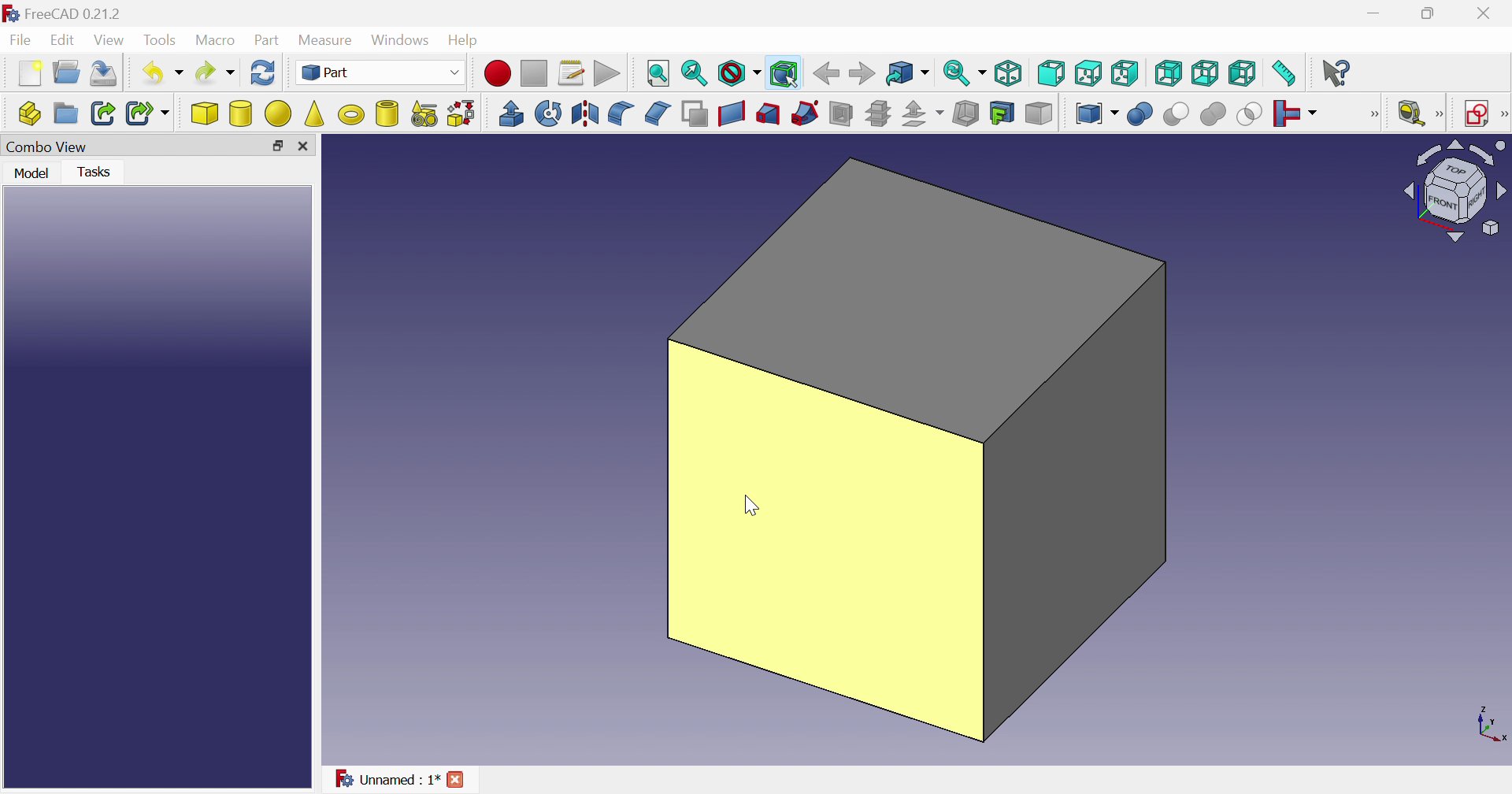  What do you see at coordinates (880, 113) in the screenshot?
I see `` at bounding box center [880, 113].